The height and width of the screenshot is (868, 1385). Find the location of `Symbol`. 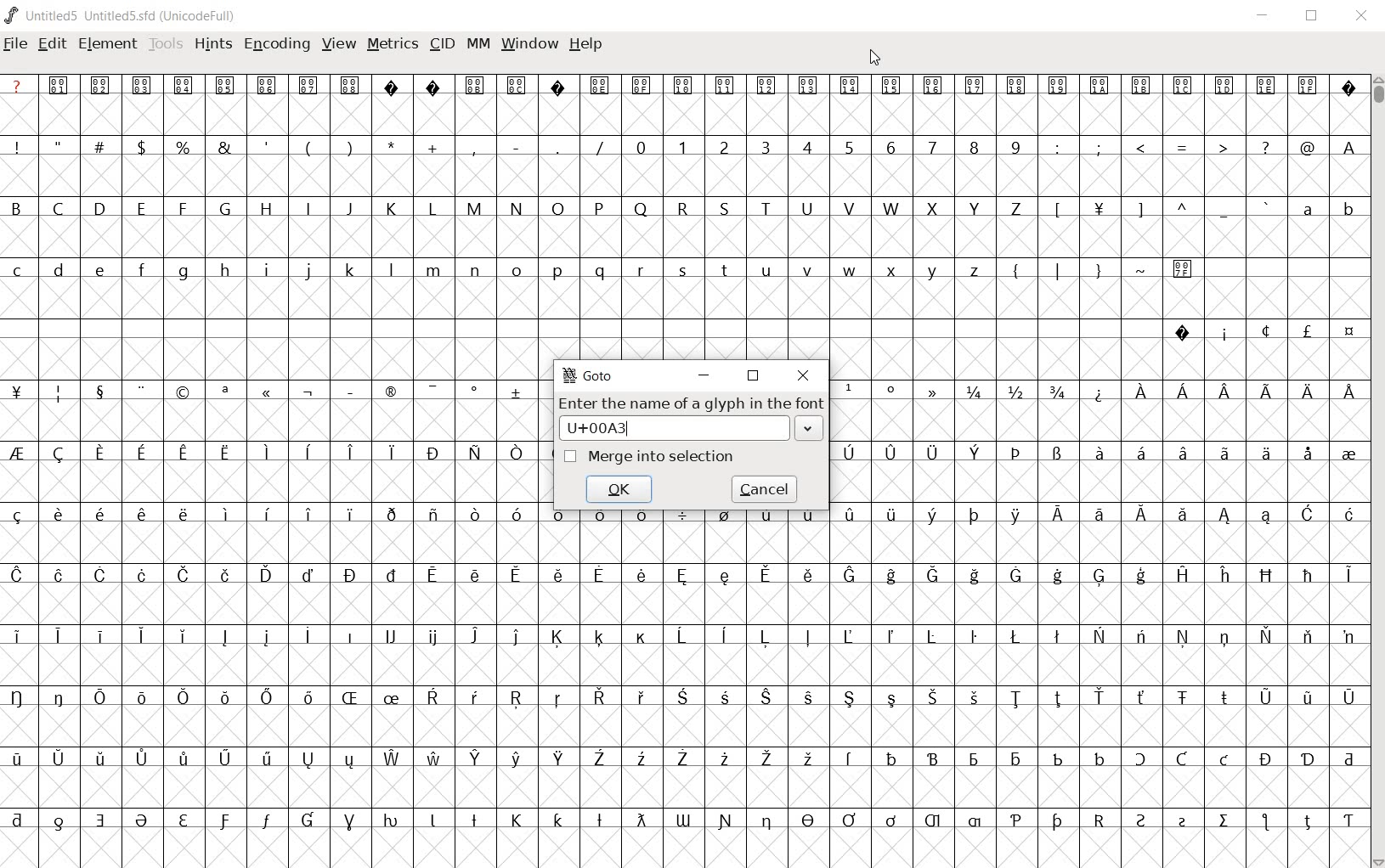

Symbol is located at coordinates (98, 696).